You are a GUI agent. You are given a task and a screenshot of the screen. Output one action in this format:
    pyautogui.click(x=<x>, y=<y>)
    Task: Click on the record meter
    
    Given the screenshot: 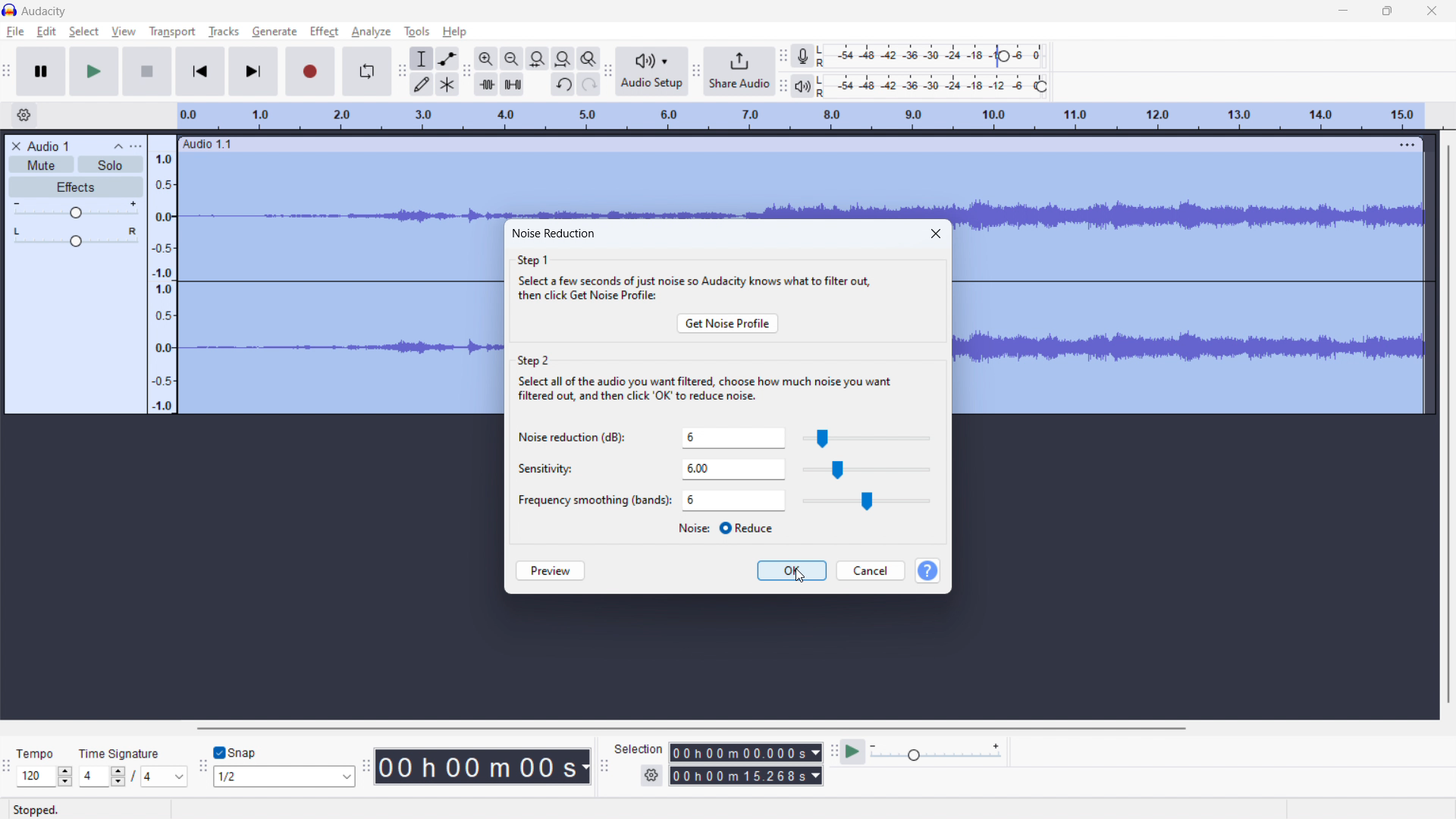 What is the action you would take?
    pyautogui.click(x=935, y=55)
    